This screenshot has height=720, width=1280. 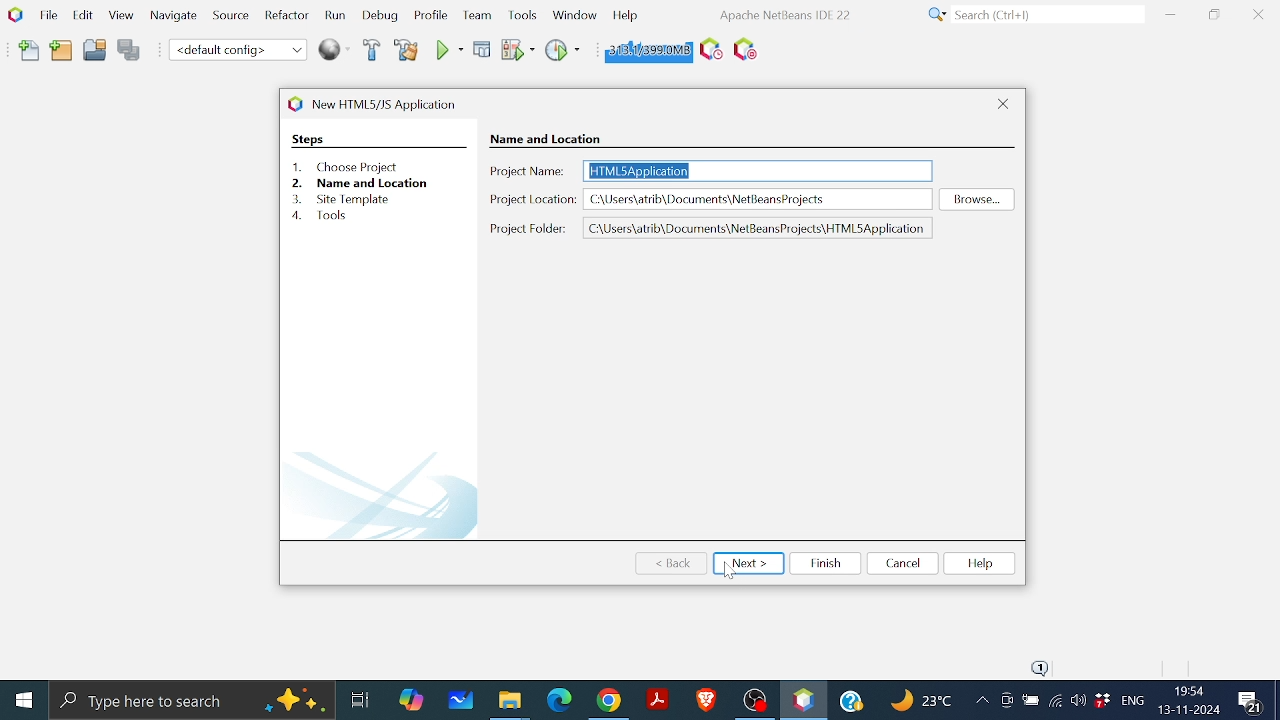 I want to click on Help, so click(x=625, y=14).